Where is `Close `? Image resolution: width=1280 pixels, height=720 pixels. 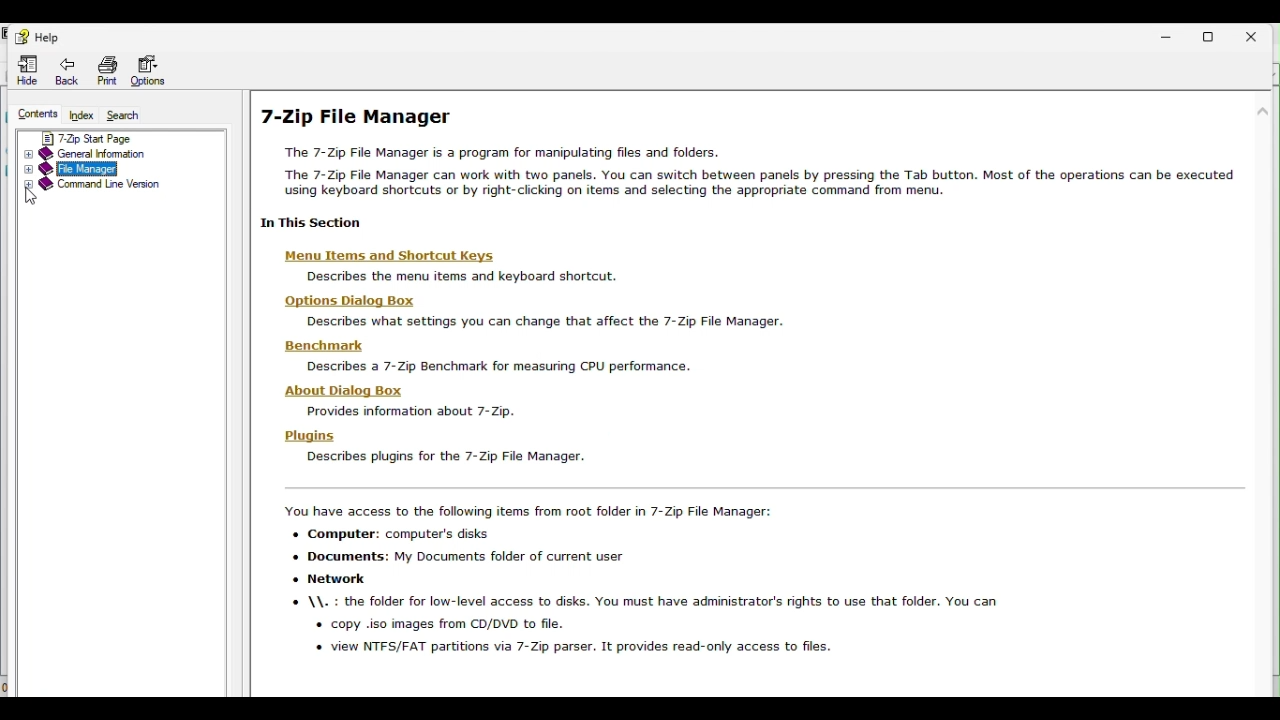
Close  is located at coordinates (1255, 36).